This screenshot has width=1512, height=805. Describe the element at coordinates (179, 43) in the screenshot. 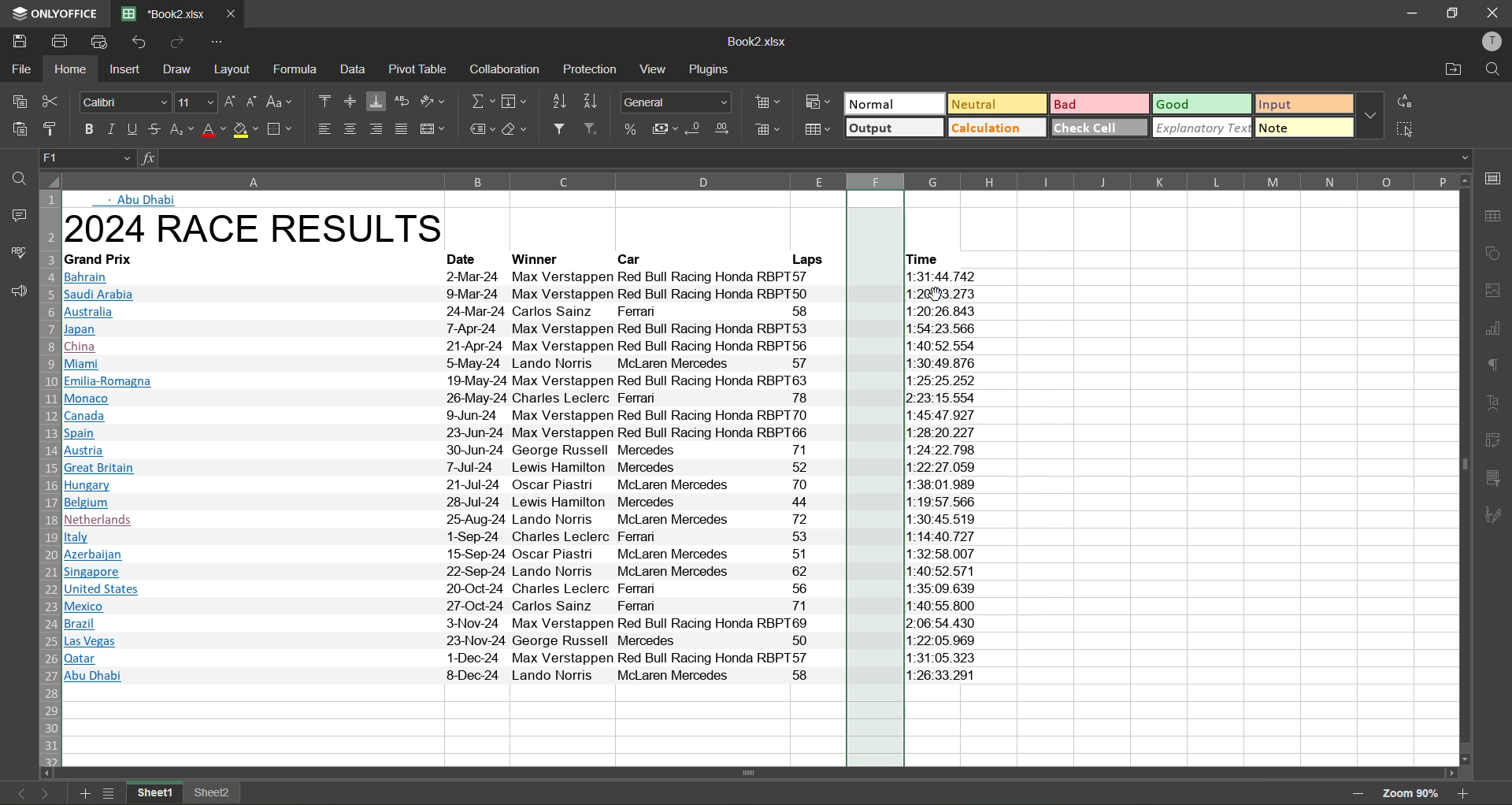

I see `redo` at that location.